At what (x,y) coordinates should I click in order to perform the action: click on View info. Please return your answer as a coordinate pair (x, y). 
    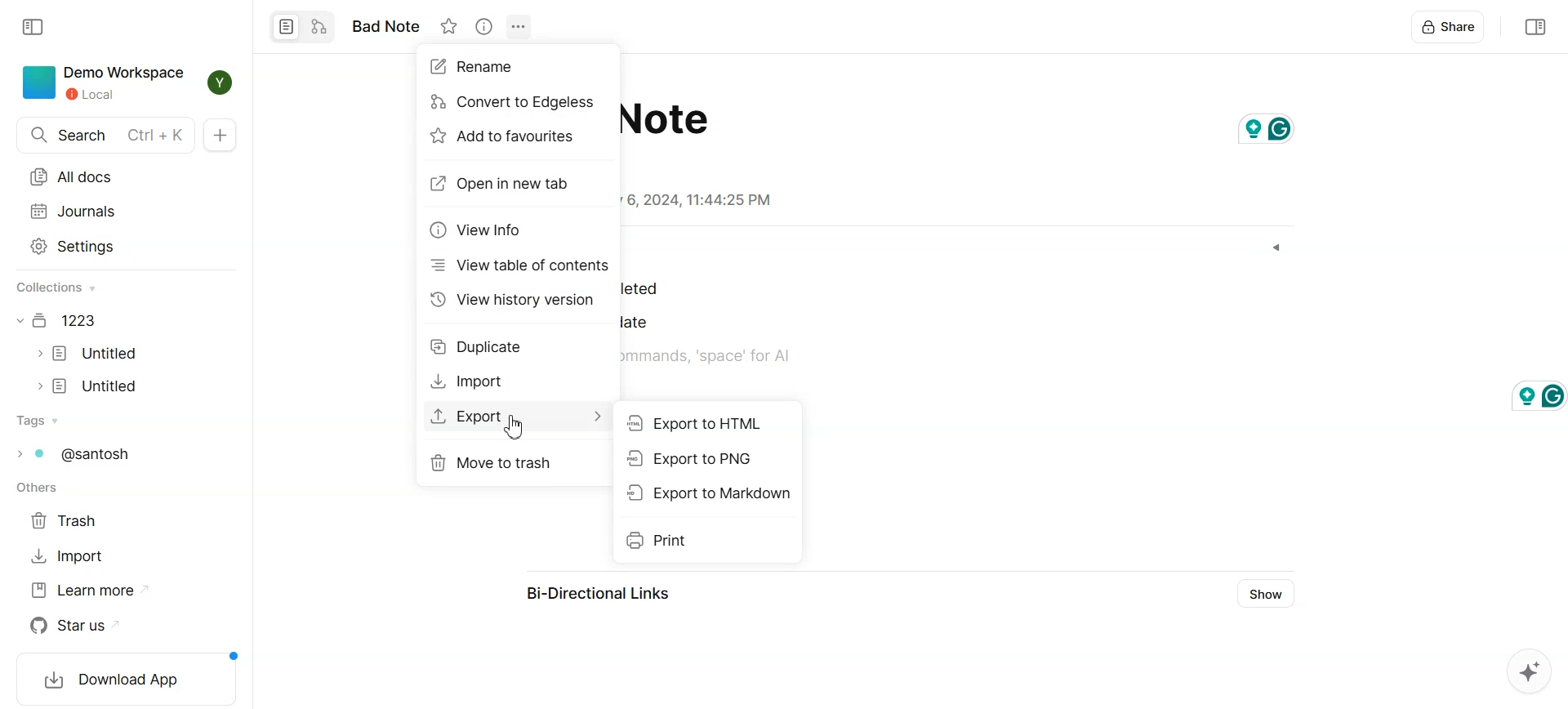
    Looking at the image, I should click on (479, 230).